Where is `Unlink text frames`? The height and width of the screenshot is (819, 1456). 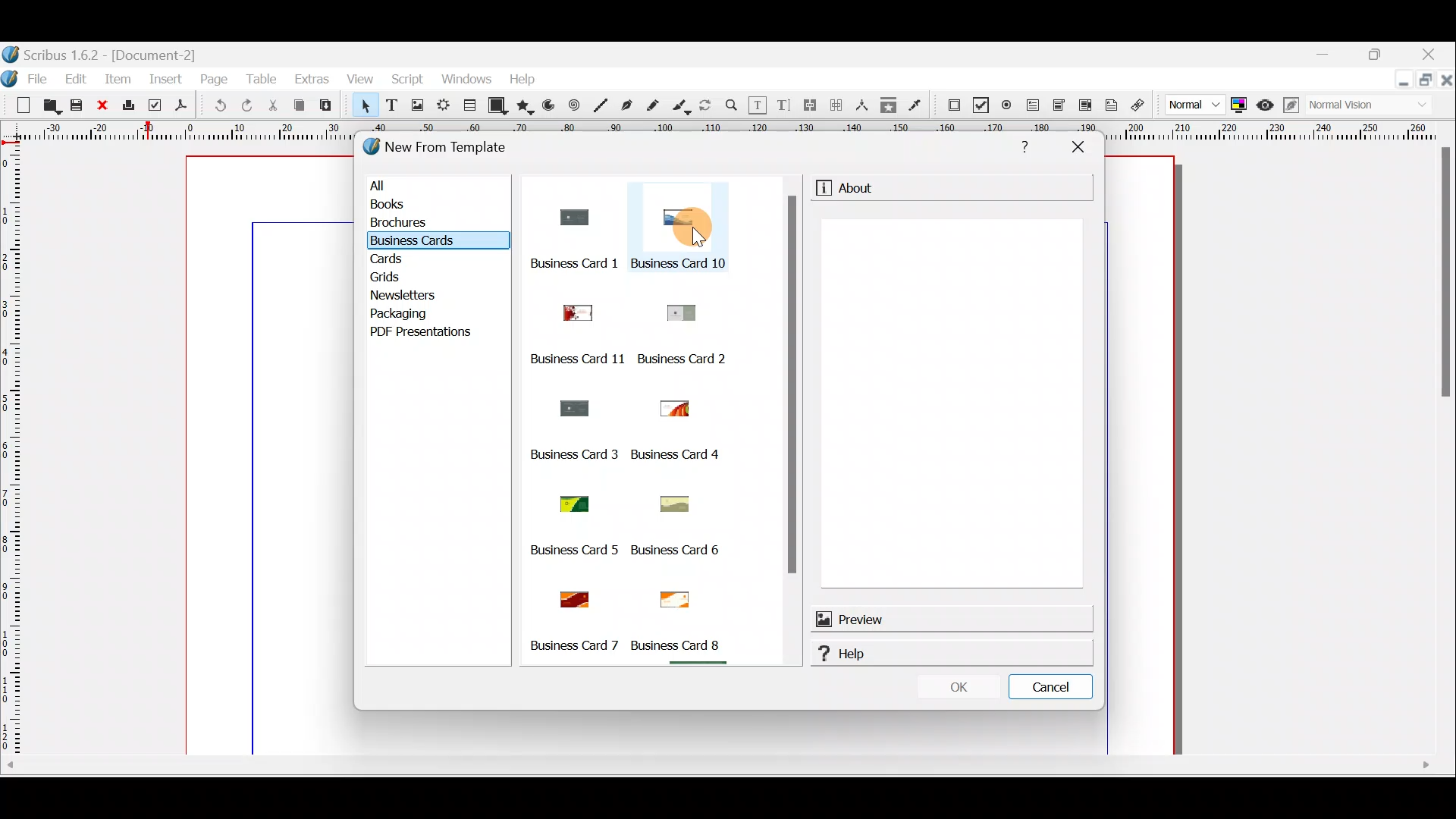
Unlink text frames is located at coordinates (836, 105).